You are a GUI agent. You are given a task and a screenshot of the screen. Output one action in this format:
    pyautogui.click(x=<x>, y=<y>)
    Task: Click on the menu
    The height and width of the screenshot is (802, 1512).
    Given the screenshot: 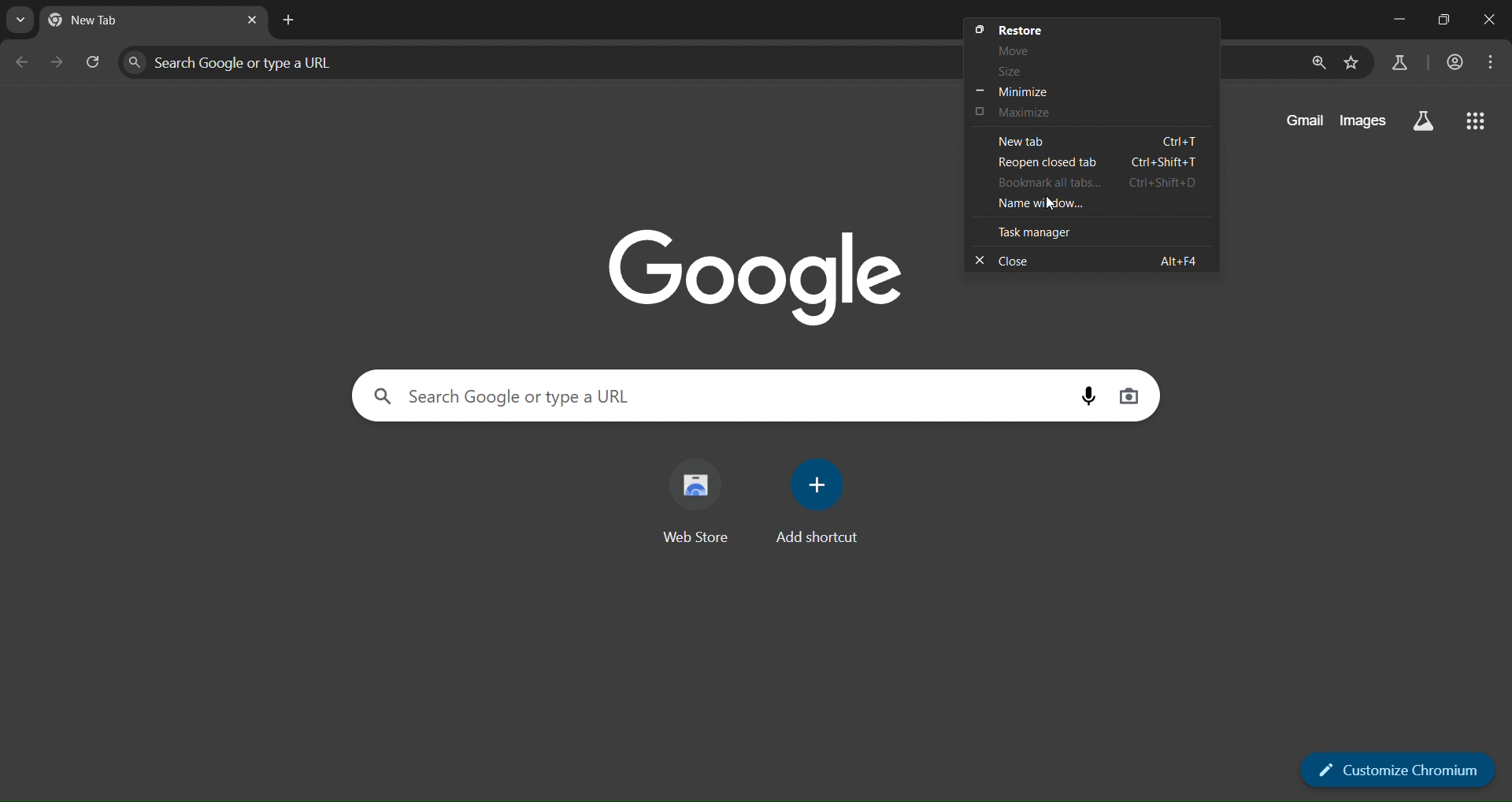 What is the action you would take?
    pyautogui.click(x=1494, y=63)
    